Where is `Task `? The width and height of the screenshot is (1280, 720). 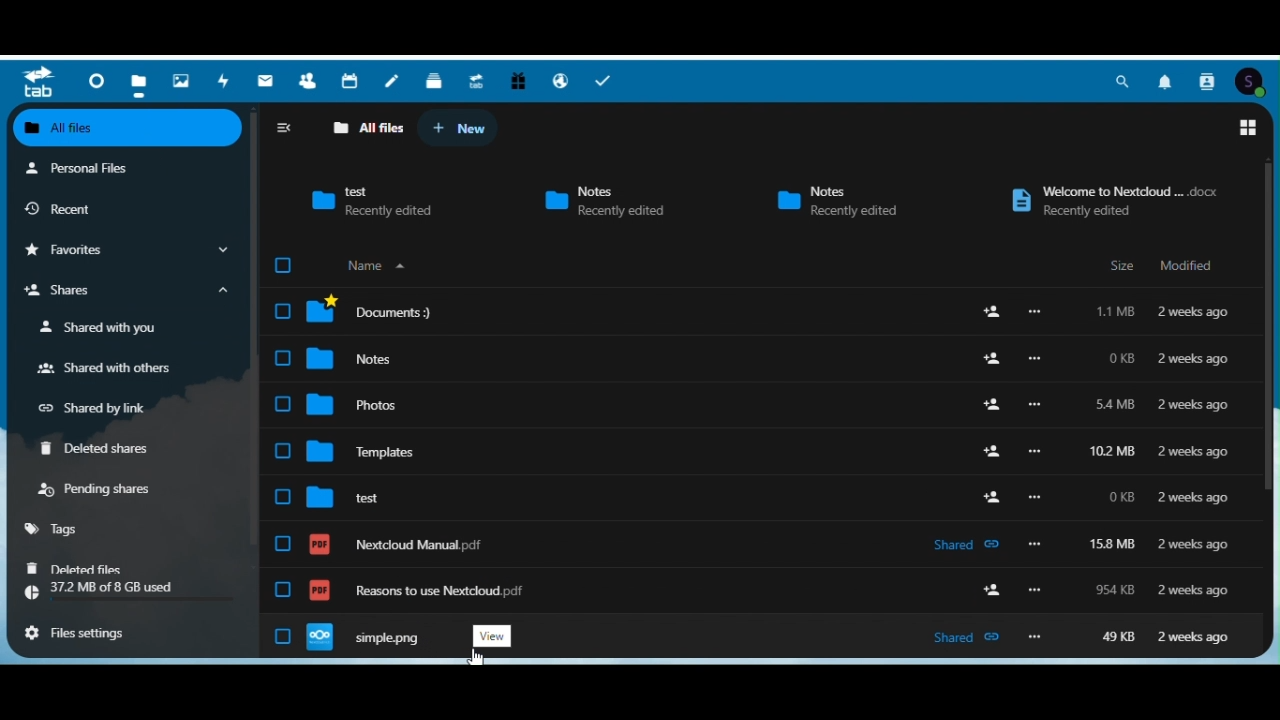 Task  is located at coordinates (608, 77).